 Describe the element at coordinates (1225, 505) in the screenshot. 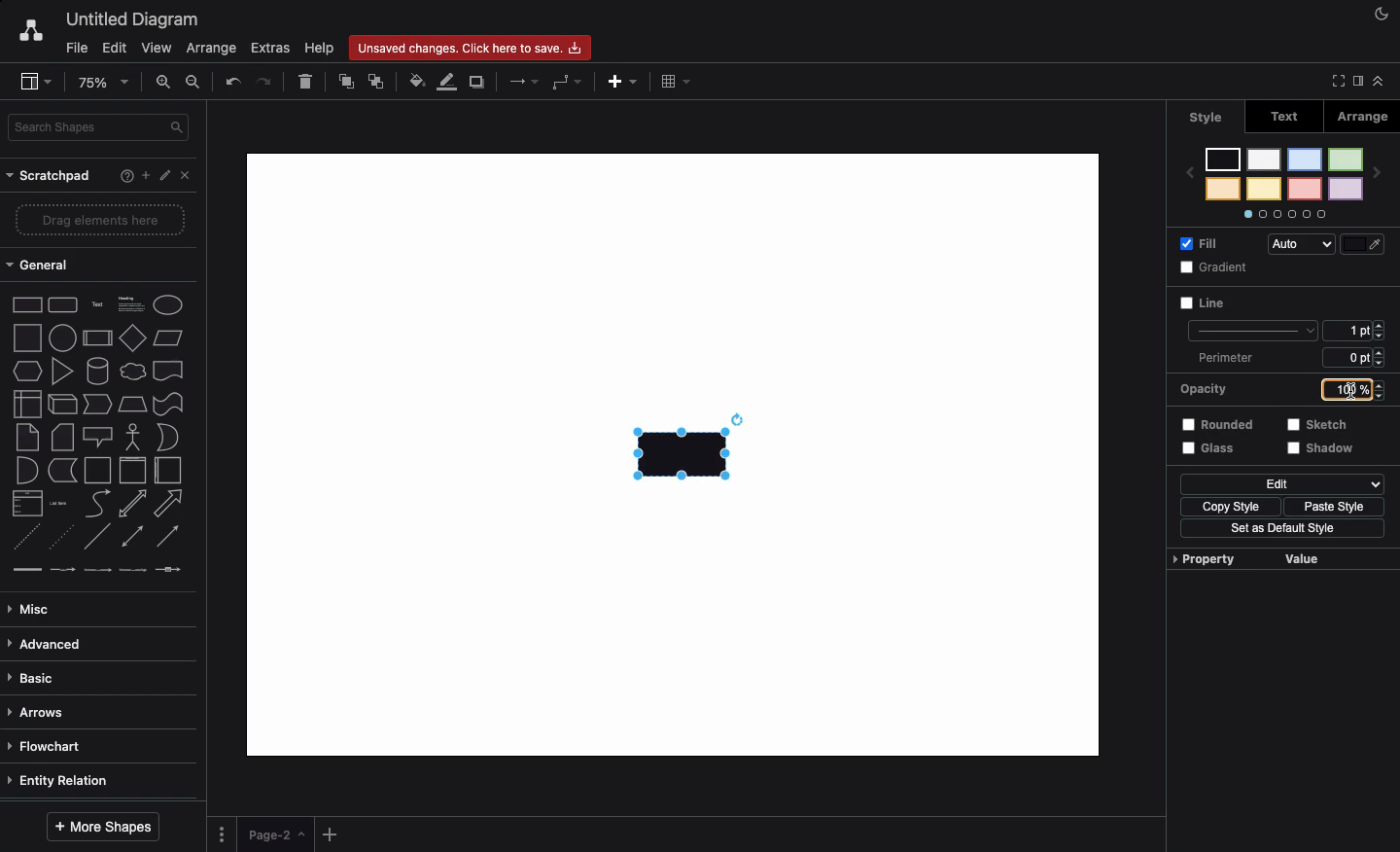

I see `Copy style` at that location.